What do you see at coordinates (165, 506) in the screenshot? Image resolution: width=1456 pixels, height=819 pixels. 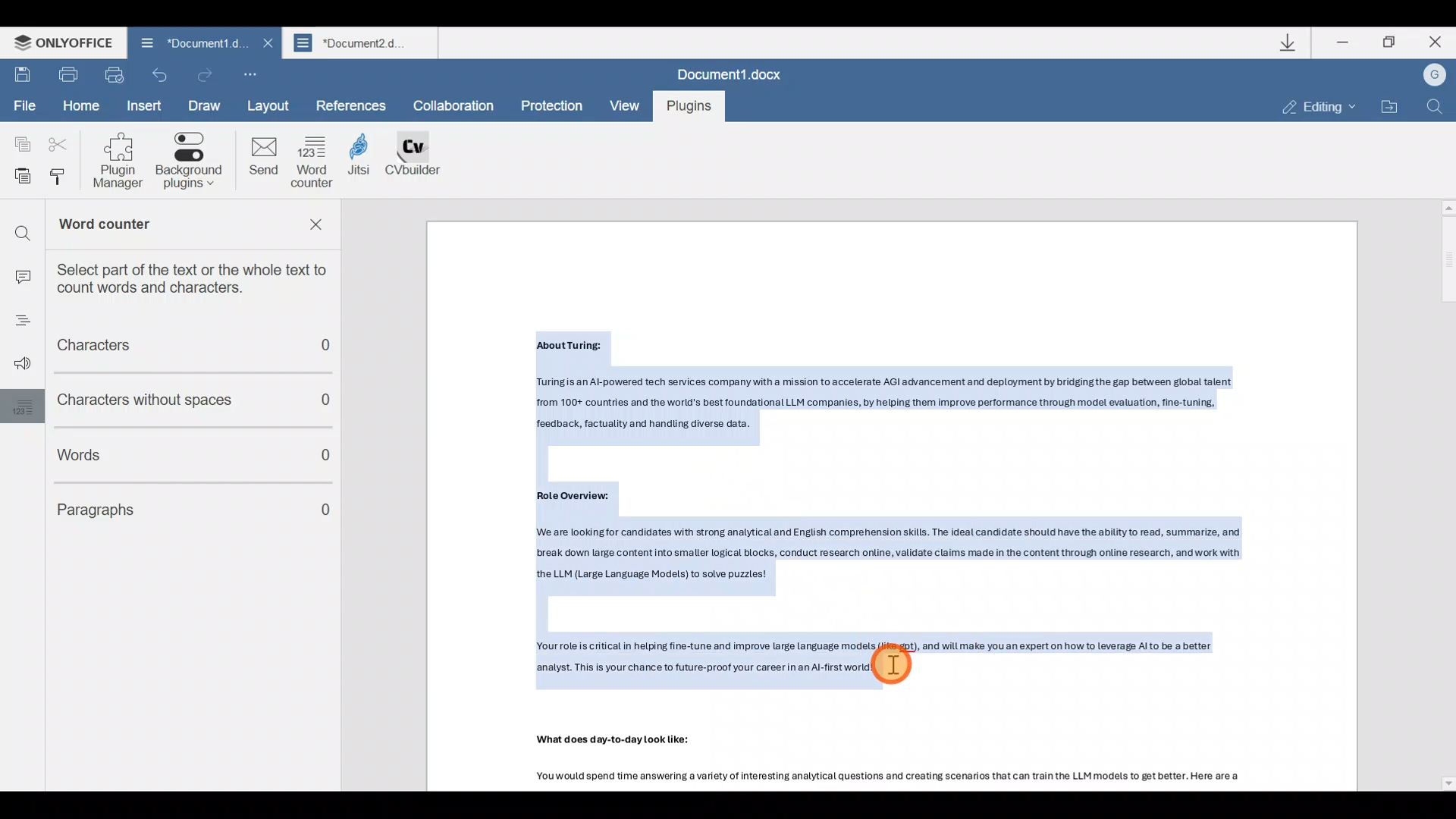 I see `Paragraphs count` at bounding box center [165, 506].